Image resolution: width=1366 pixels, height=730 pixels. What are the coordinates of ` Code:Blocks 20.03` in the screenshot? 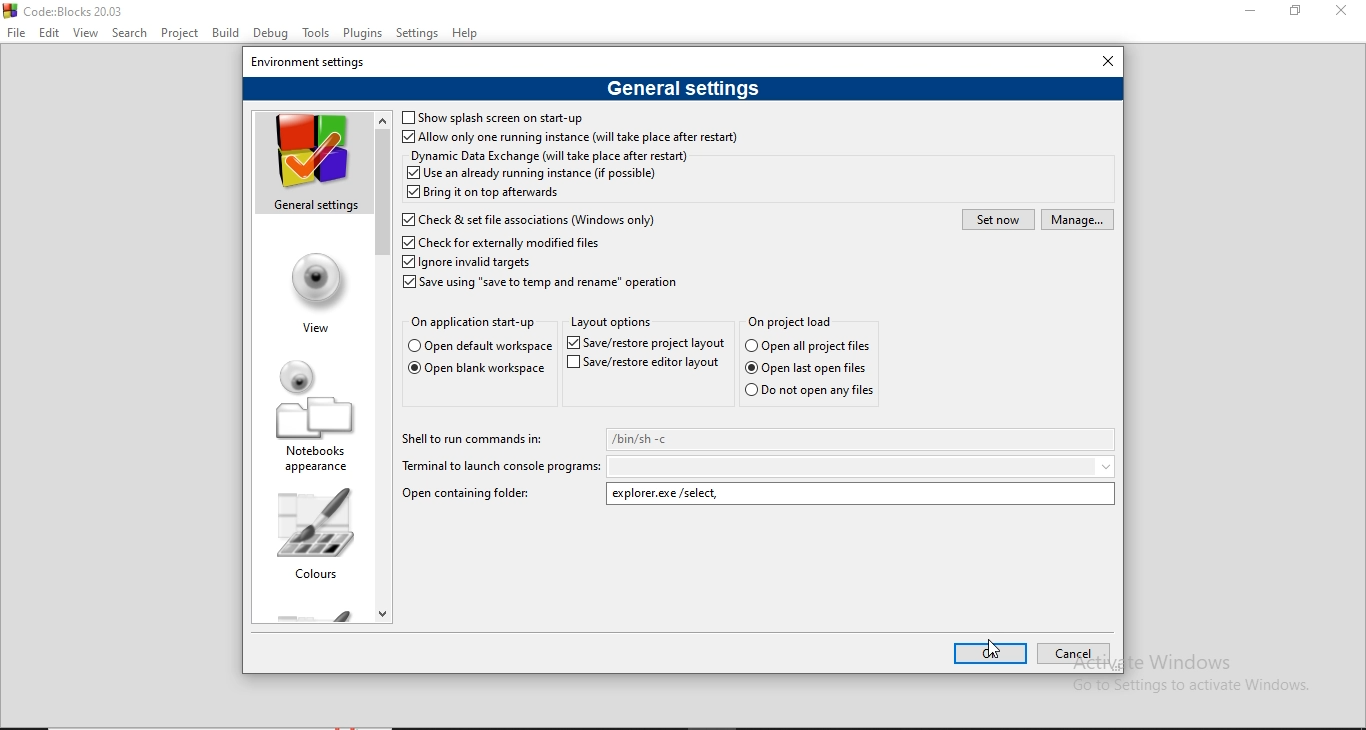 It's located at (72, 9).